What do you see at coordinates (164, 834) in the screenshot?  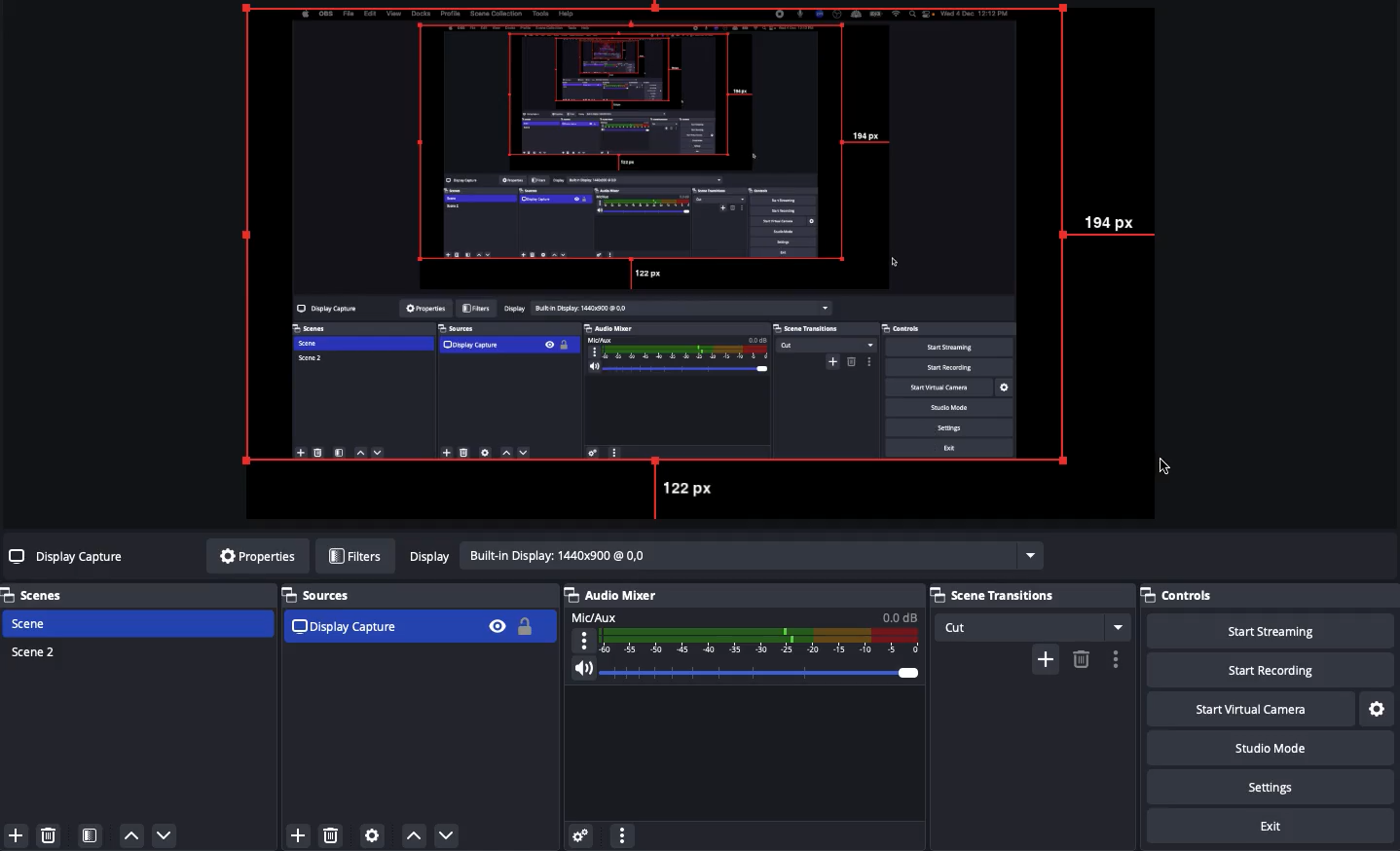 I see `Move down` at bounding box center [164, 834].